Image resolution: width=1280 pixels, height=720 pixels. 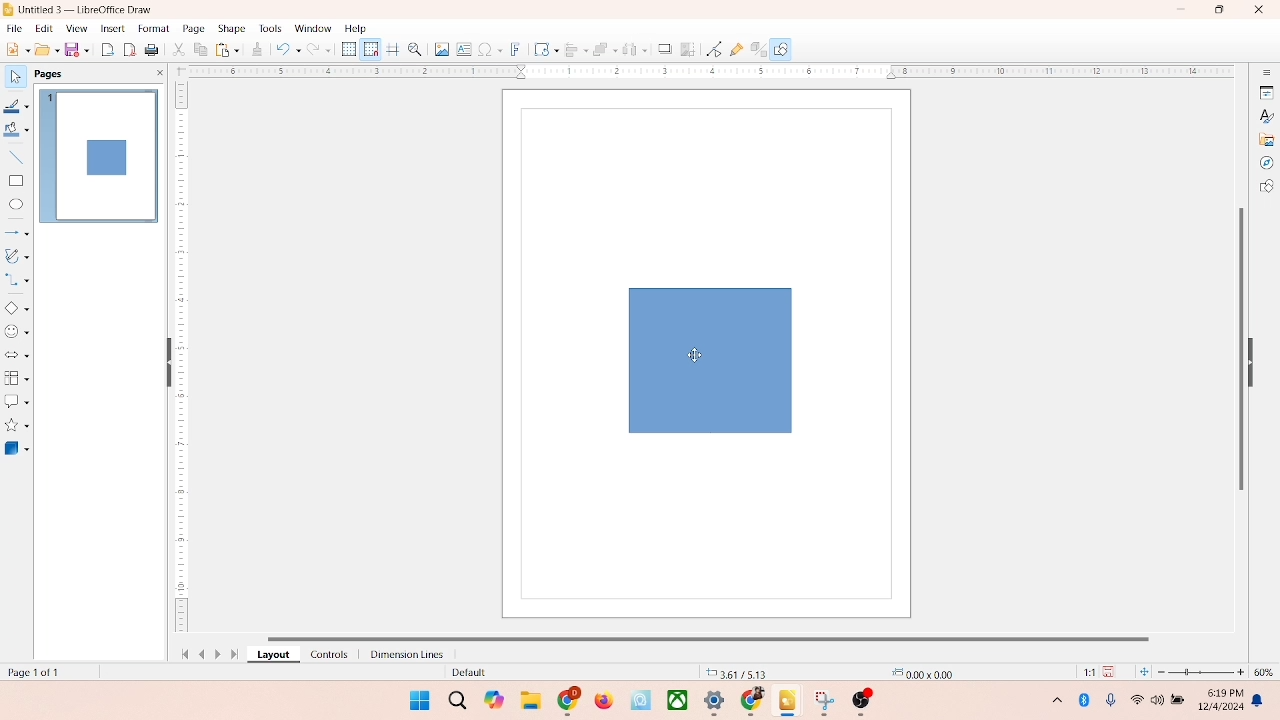 What do you see at coordinates (541, 49) in the screenshot?
I see `transformation` at bounding box center [541, 49].